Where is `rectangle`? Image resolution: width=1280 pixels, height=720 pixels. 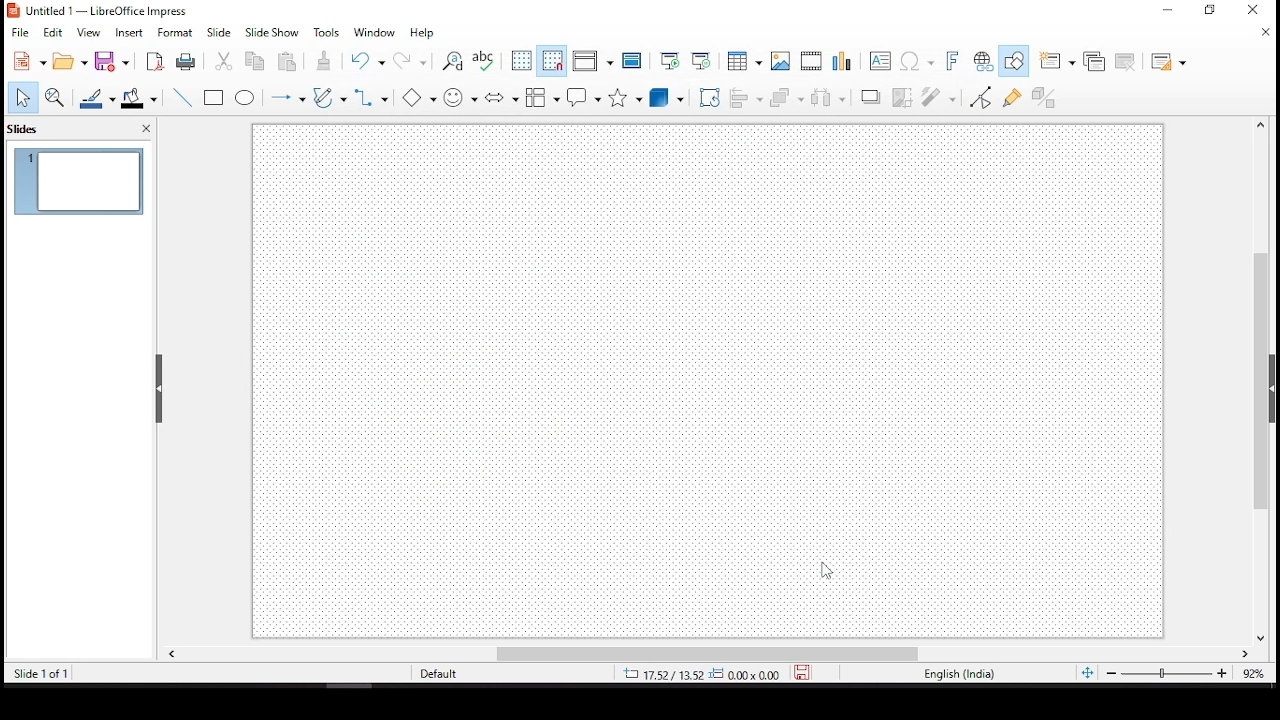 rectangle is located at coordinates (214, 97).